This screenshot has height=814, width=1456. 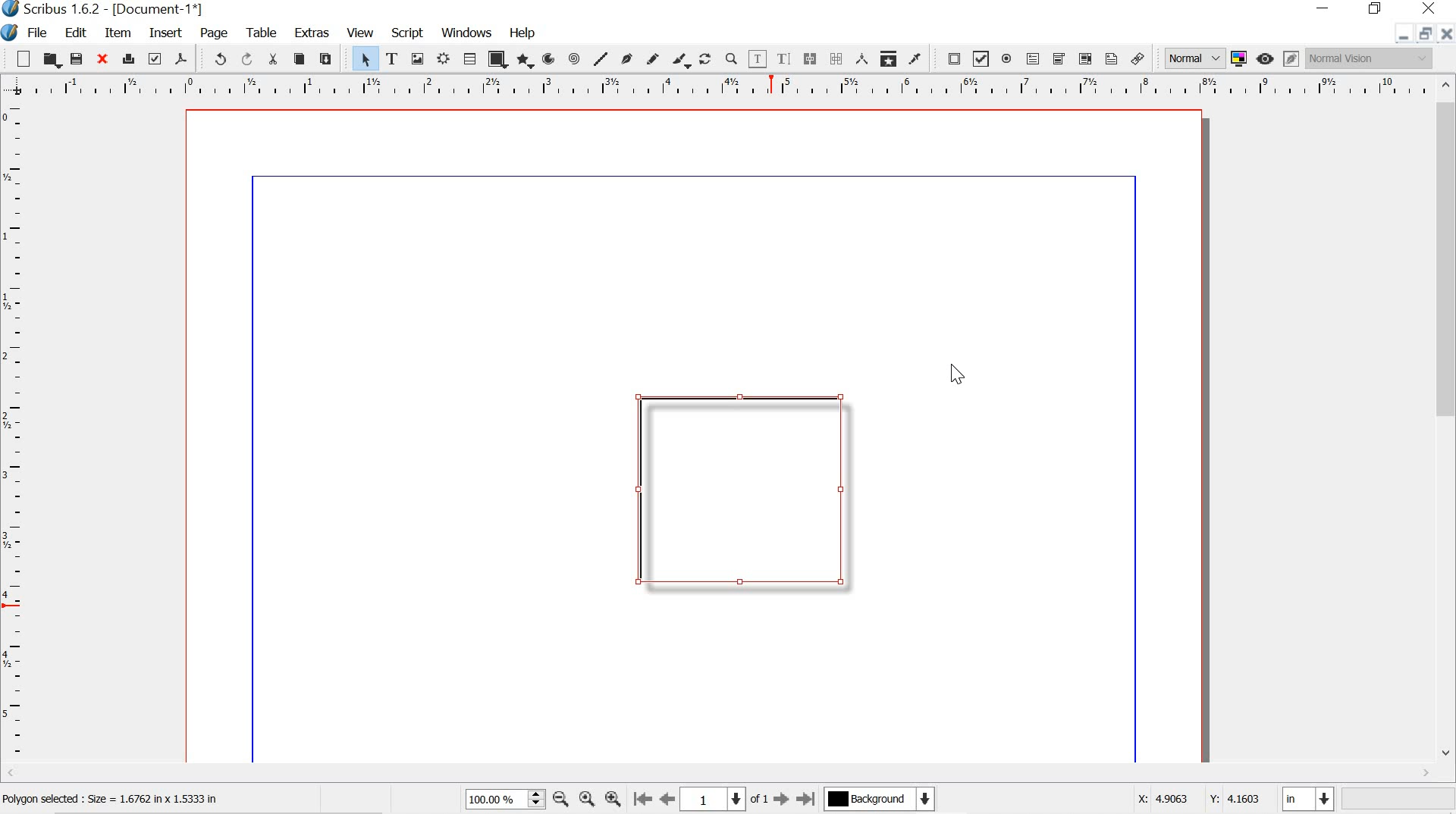 I want to click on select item, so click(x=366, y=59).